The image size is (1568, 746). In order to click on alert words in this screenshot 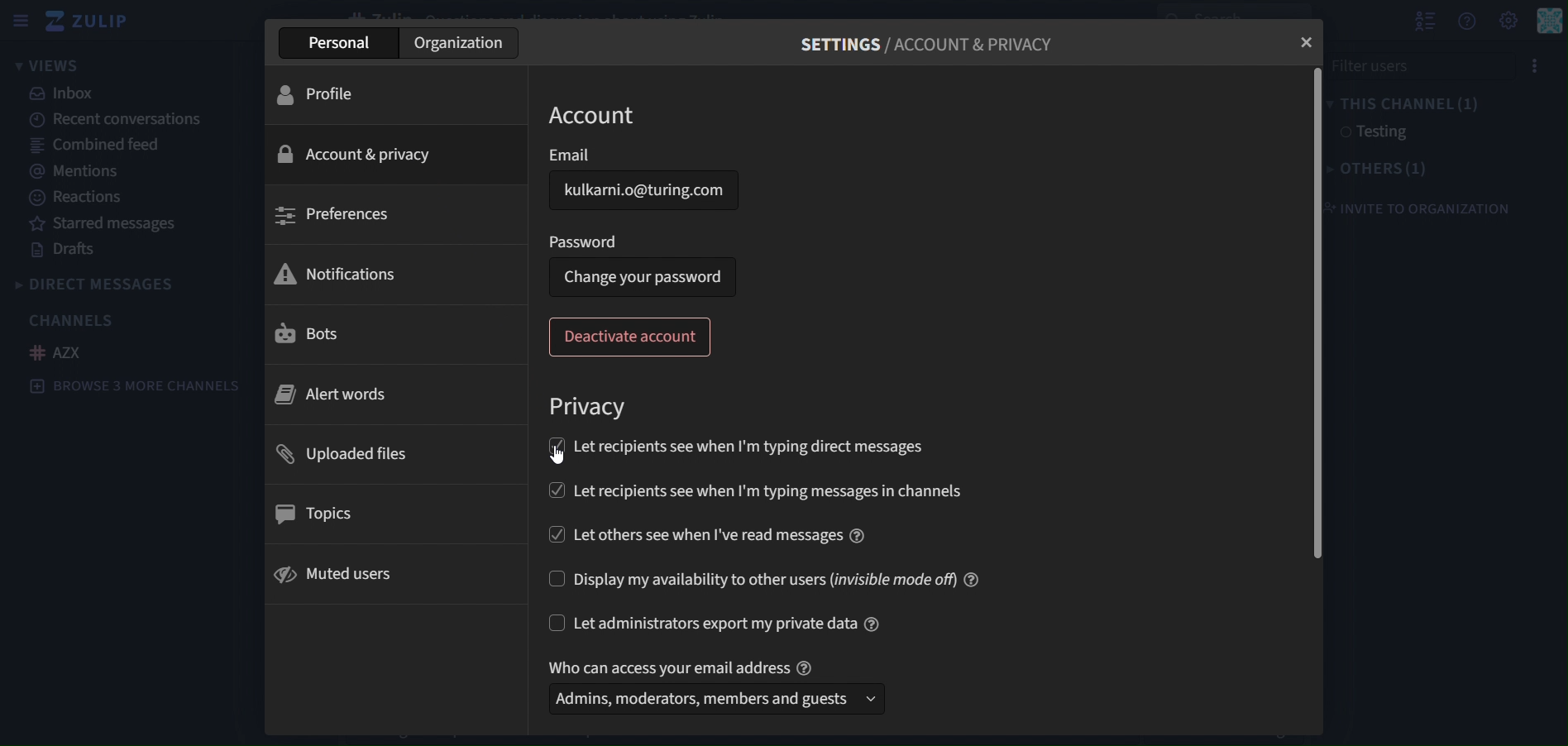, I will do `click(339, 395)`.